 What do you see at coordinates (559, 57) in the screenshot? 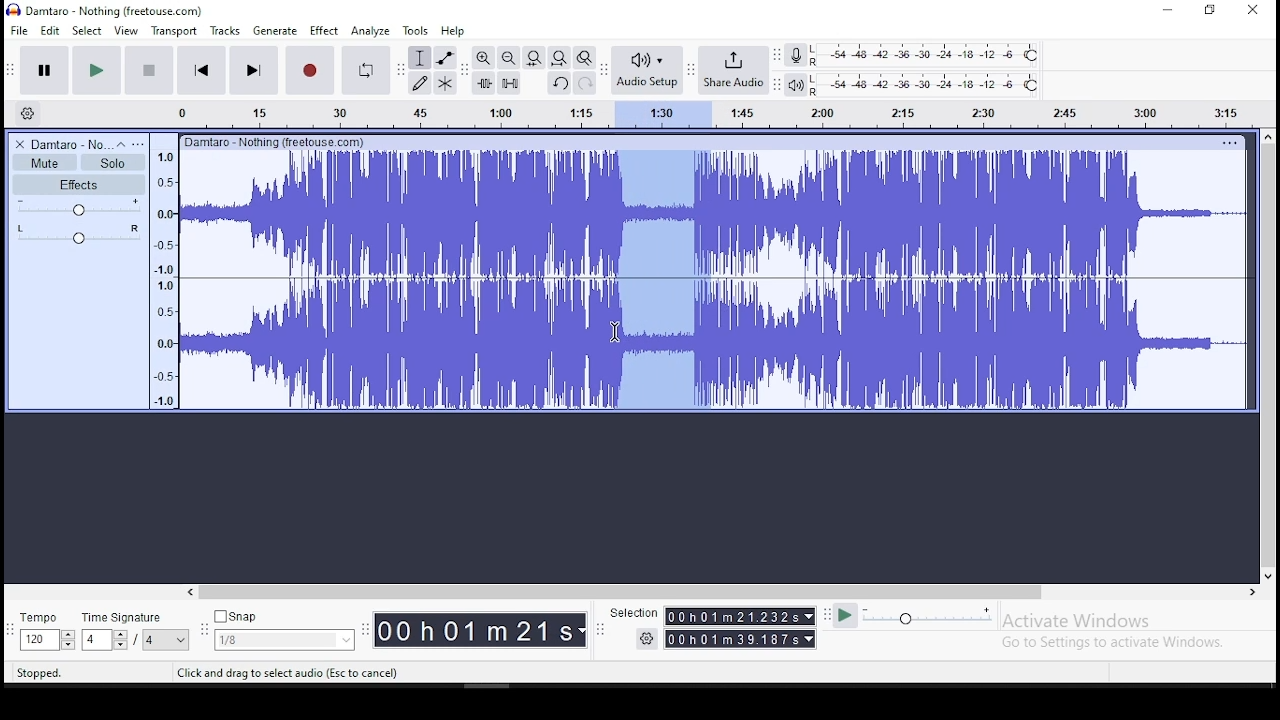
I see `fit project to width` at bounding box center [559, 57].